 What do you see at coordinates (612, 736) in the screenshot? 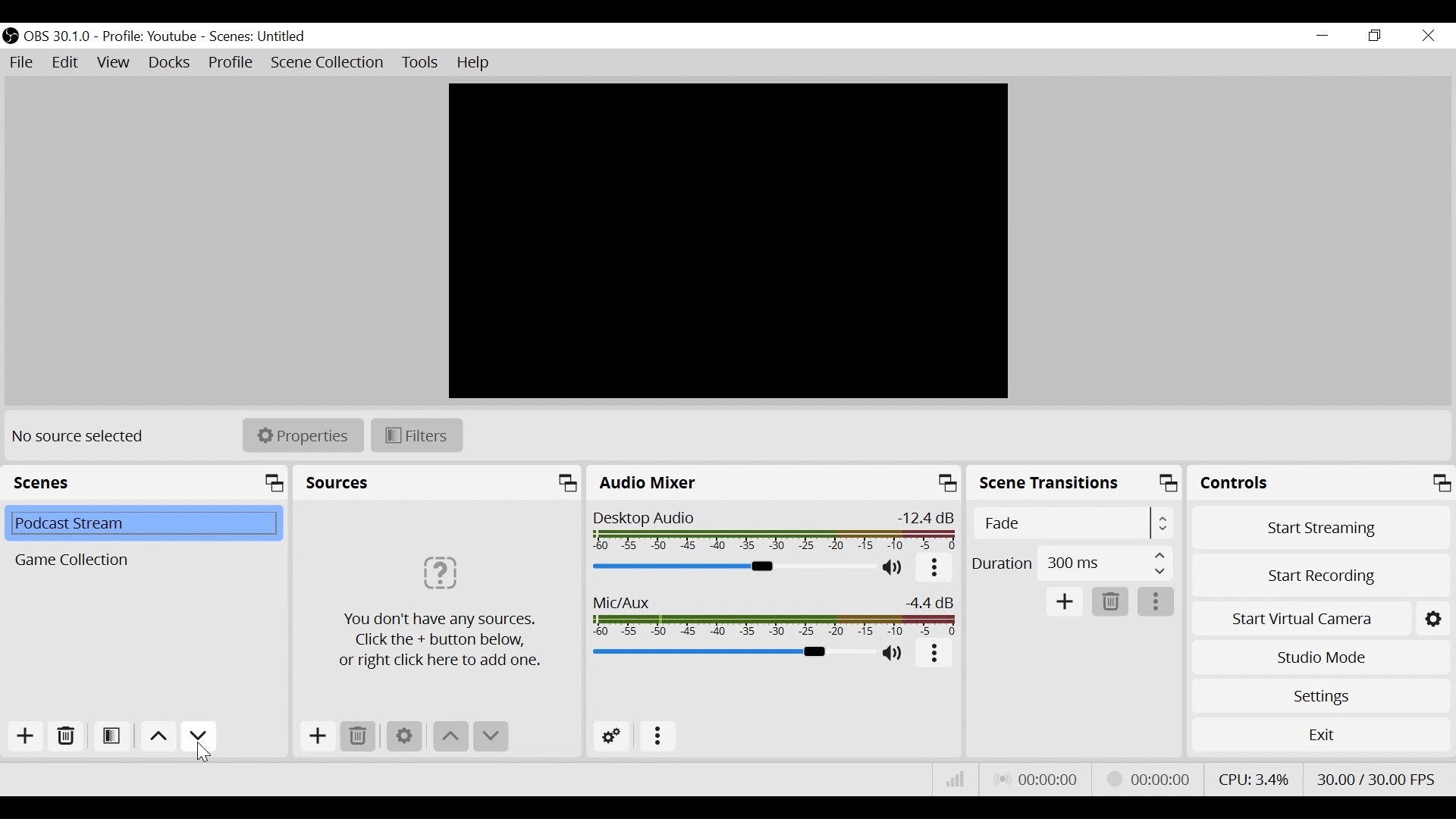
I see `Advanced Setting` at bounding box center [612, 736].